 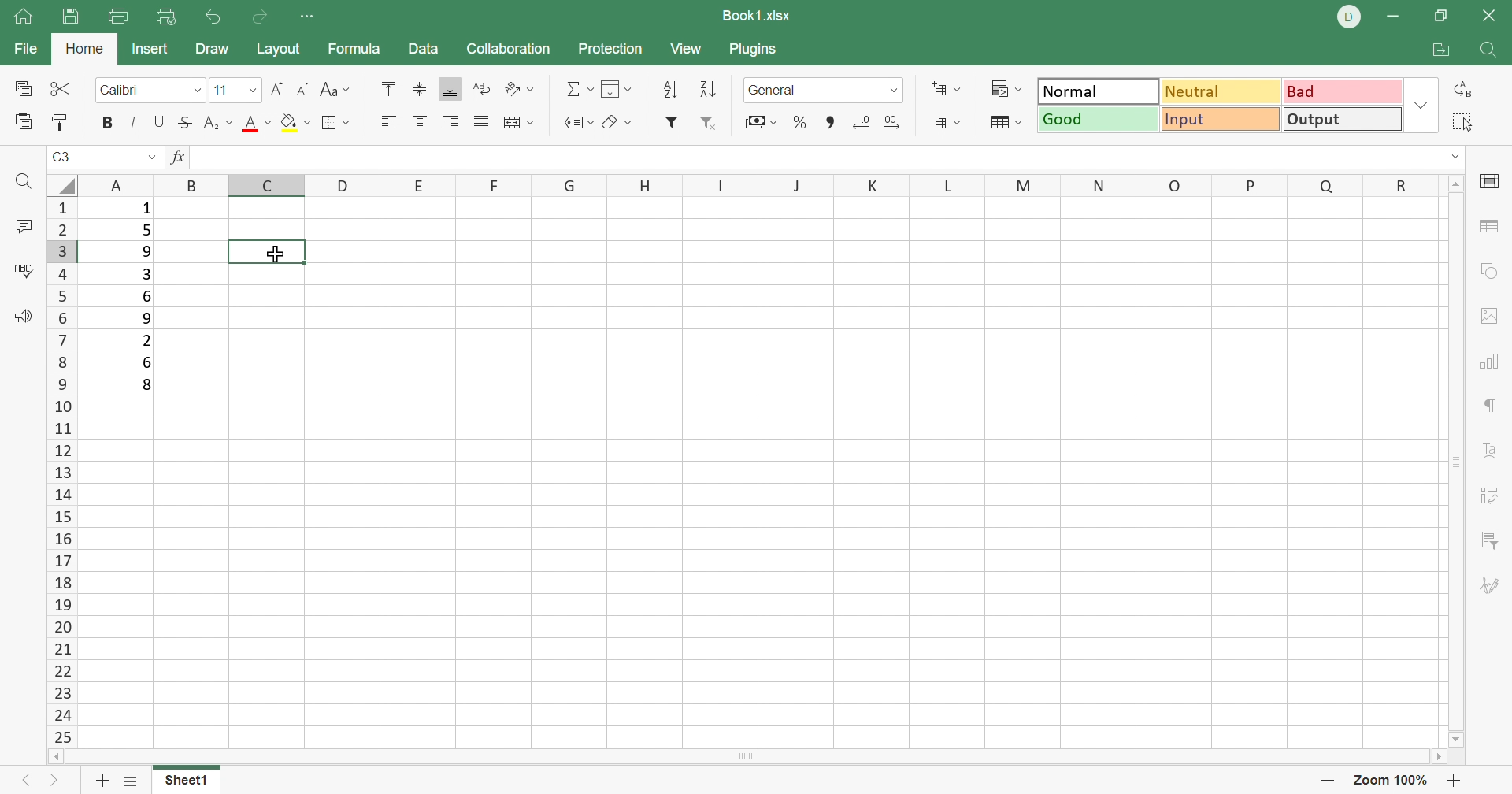 I want to click on Collaboration, so click(x=508, y=48).